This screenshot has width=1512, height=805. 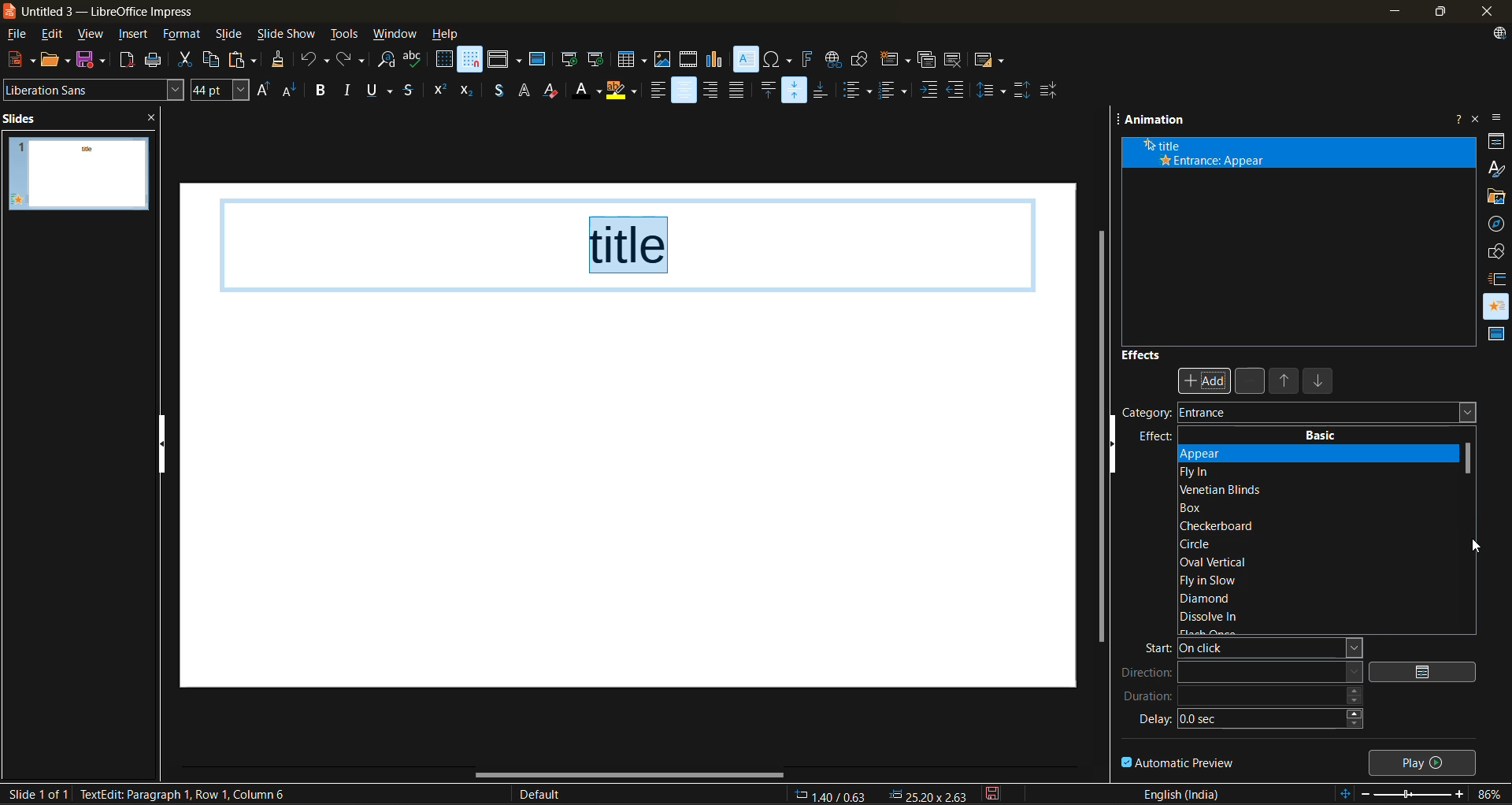 I want to click on align bottom, so click(x=823, y=89).